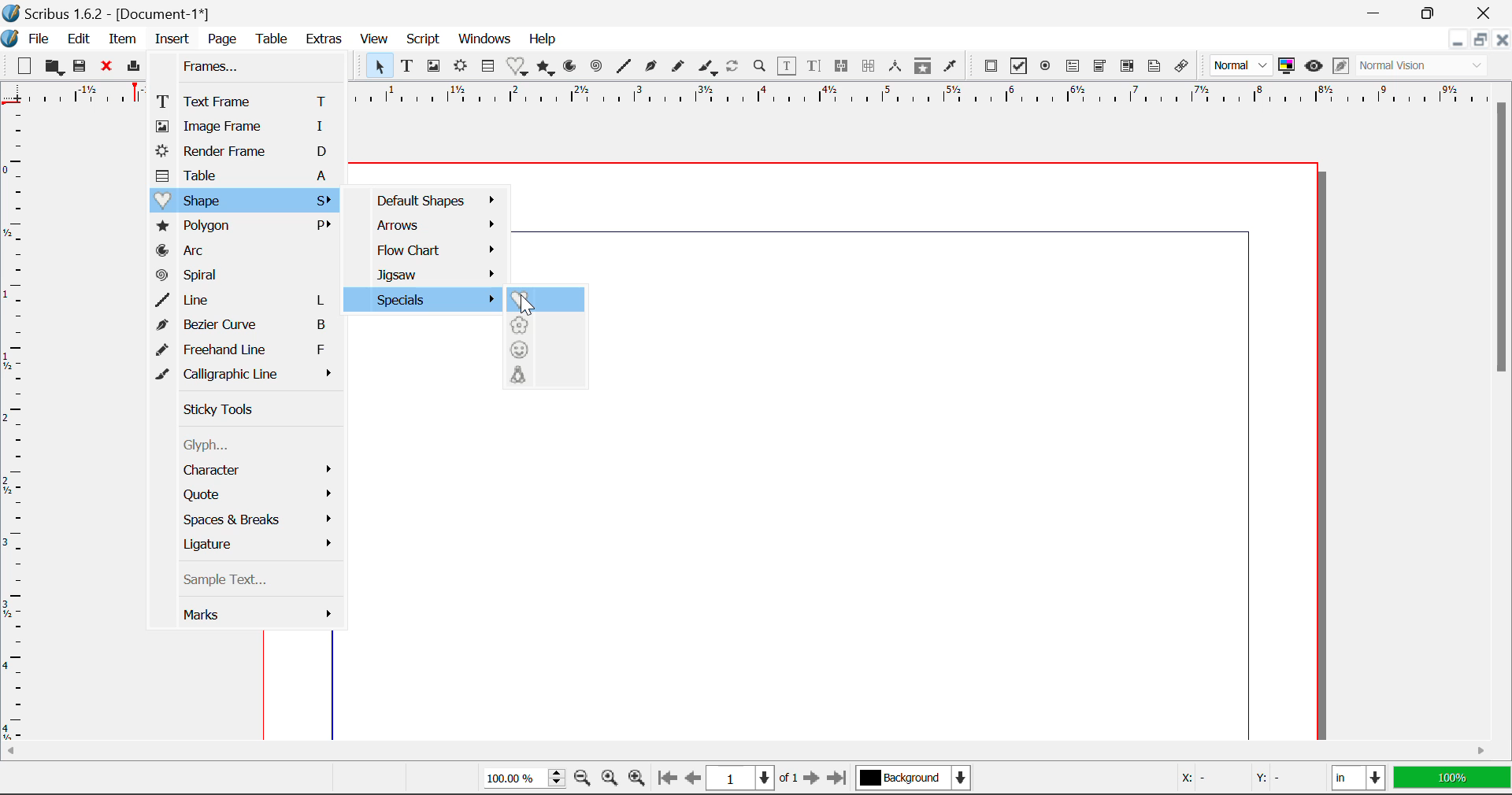 This screenshot has height=795, width=1512. What do you see at coordinates (1101, 68) in the screenshot?
I see `Pdf Combobox` at bounding box center [1101, 68].